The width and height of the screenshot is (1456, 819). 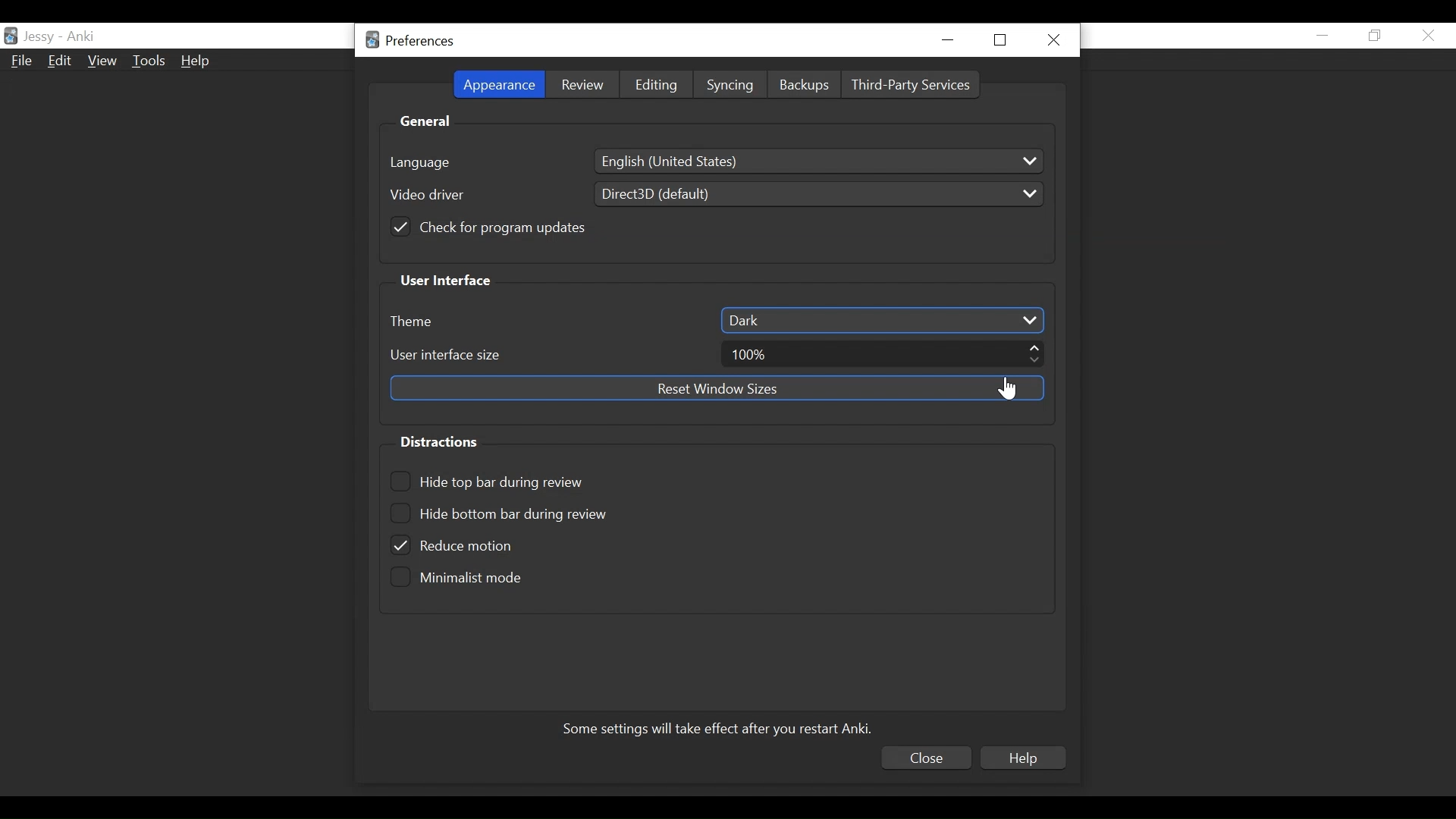 I want to click on minimize, so click(x=948, y=39).